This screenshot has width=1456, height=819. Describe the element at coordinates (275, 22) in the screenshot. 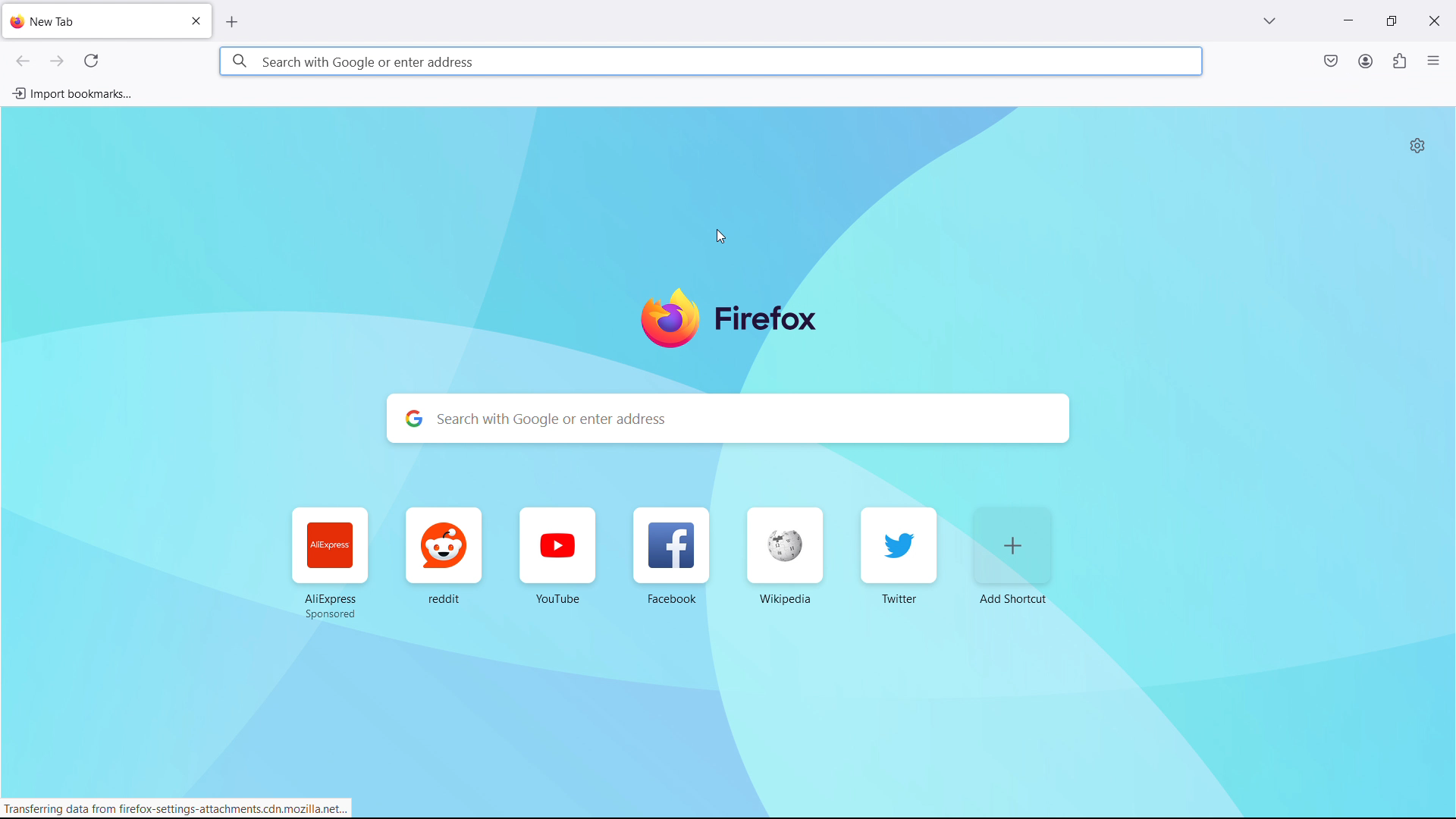

I see `open new tab` at that location.